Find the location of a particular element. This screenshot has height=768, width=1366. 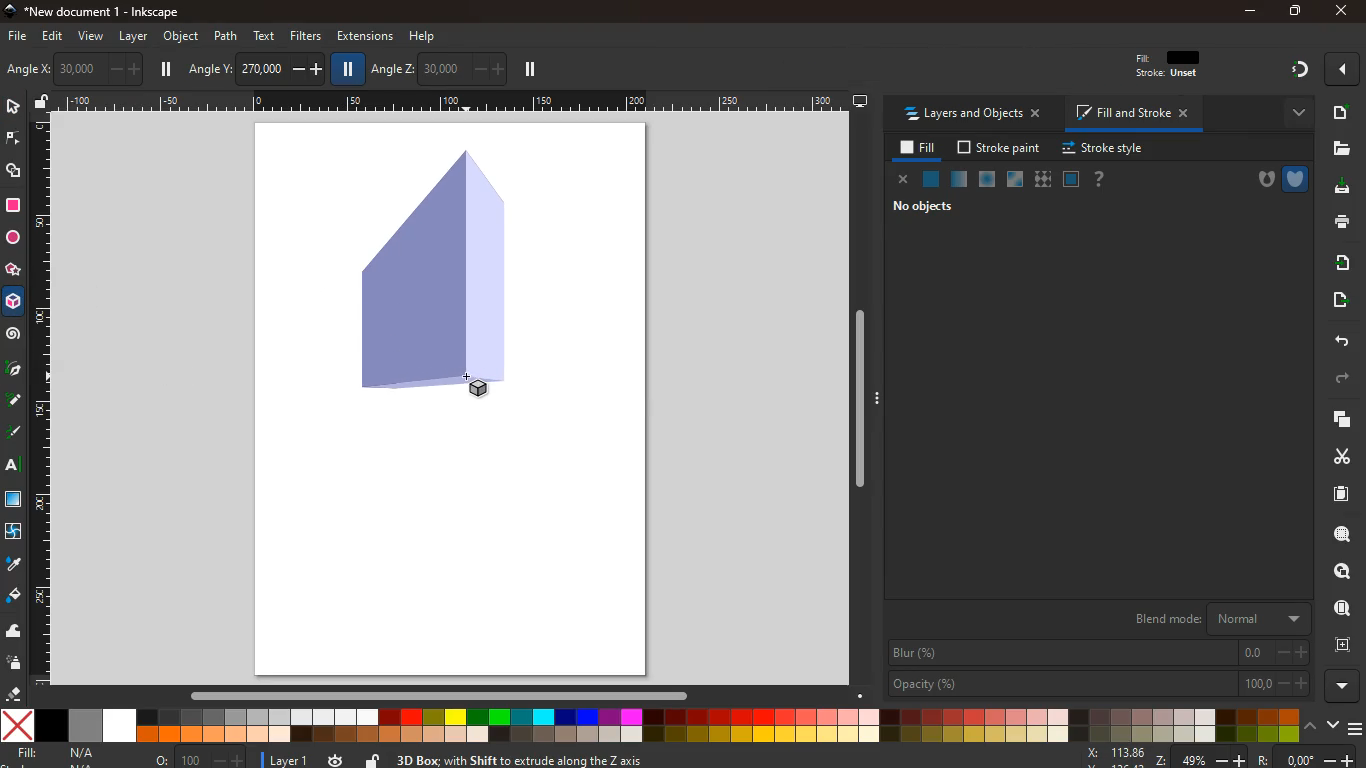

layer is located at coordinates (285, 758).